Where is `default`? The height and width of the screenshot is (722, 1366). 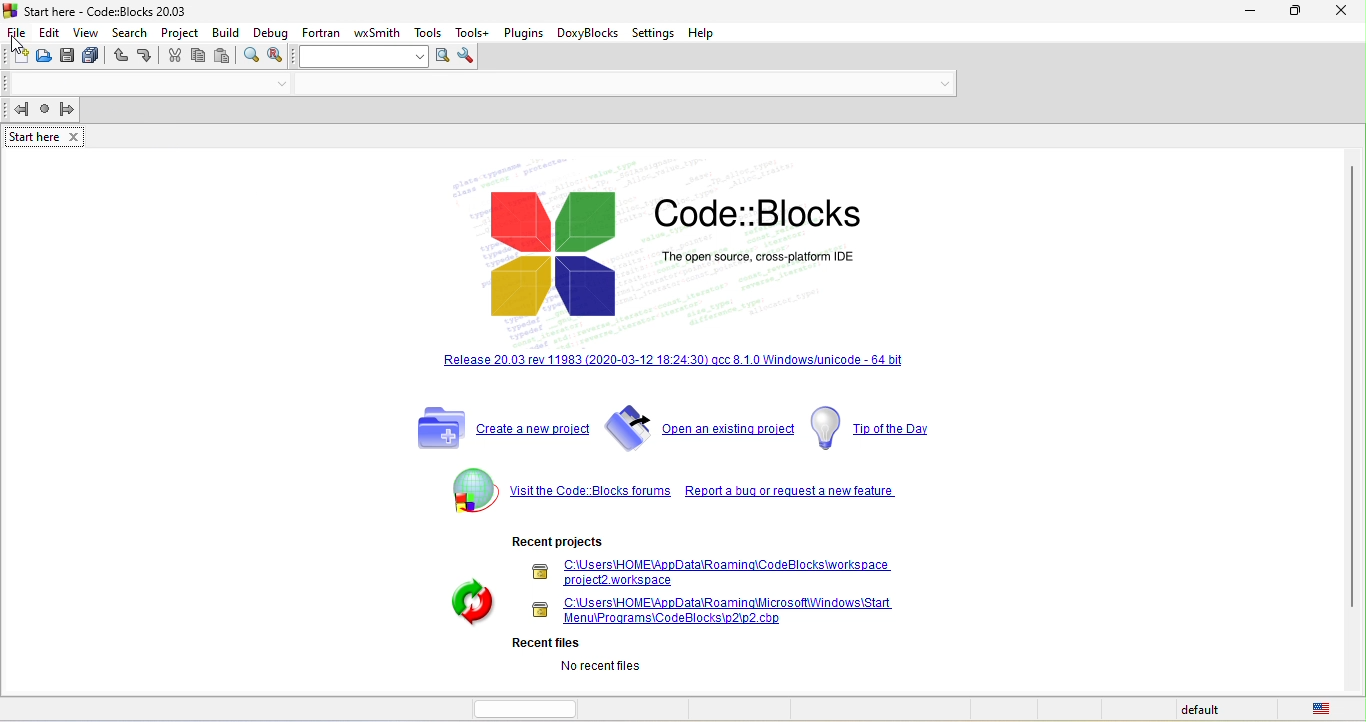
default is located at coordinates (1203, 710).